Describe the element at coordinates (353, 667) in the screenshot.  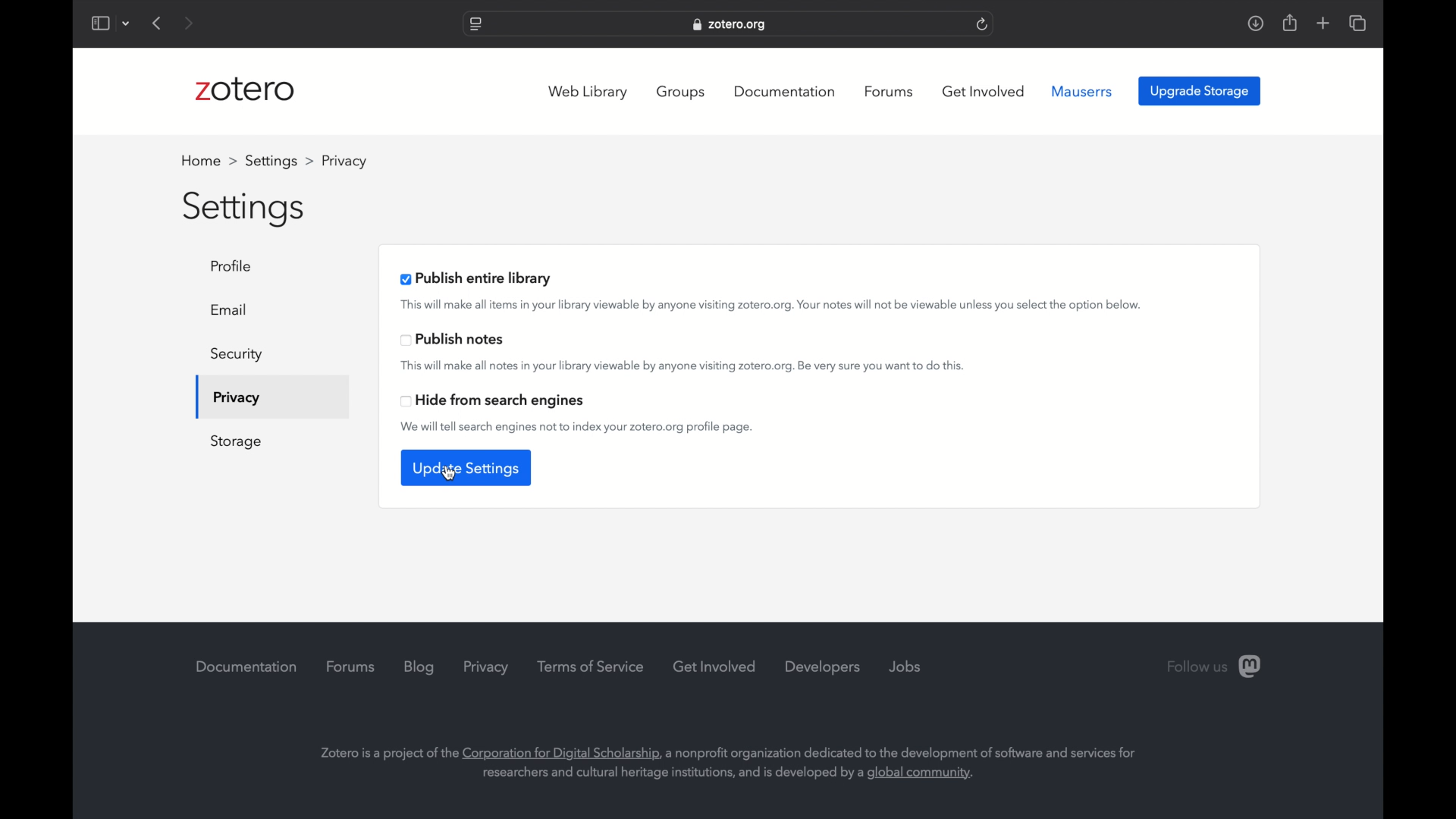
I see `forums` at that location.